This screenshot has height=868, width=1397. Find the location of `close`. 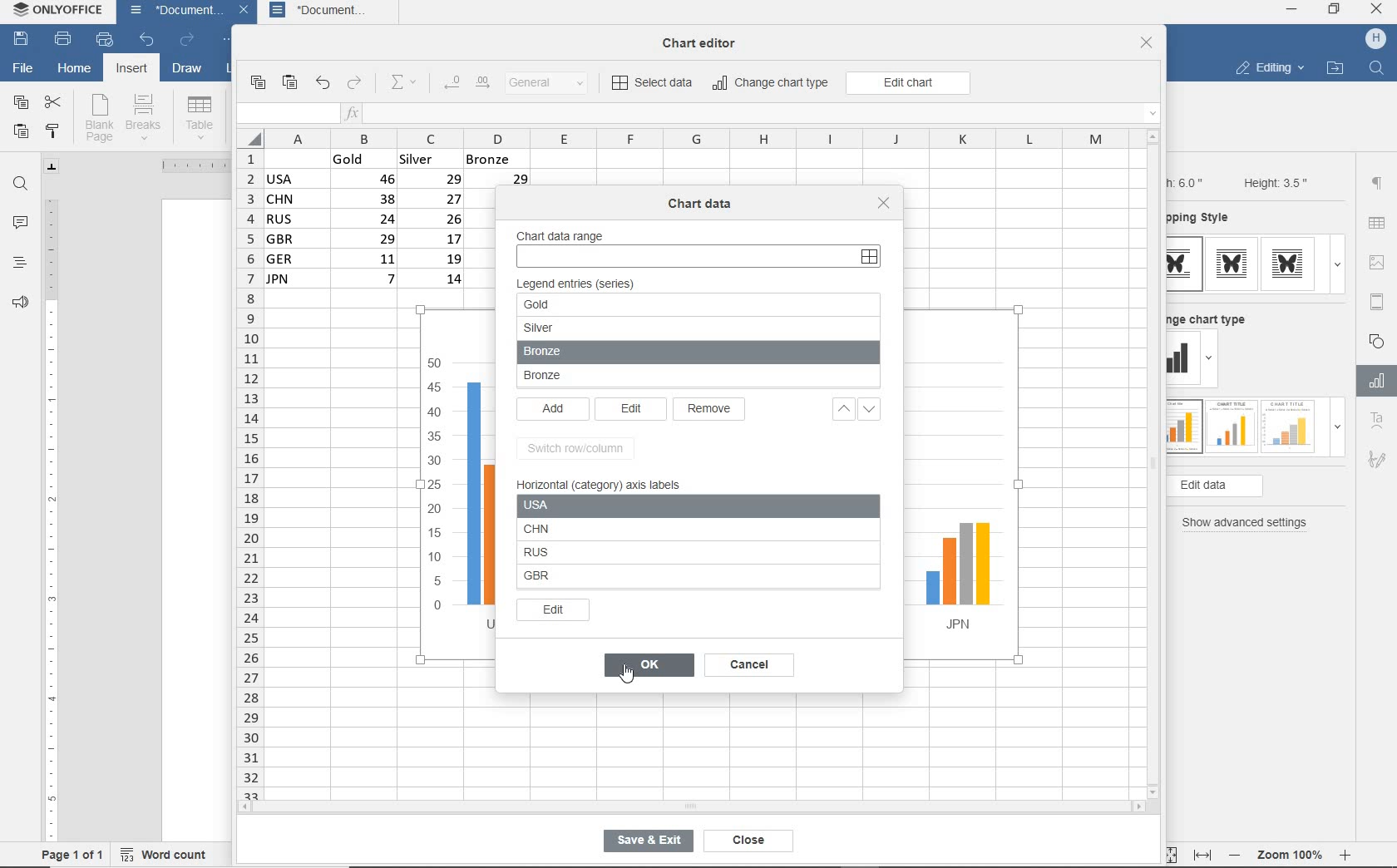

close is located at coordinates (246, 12).